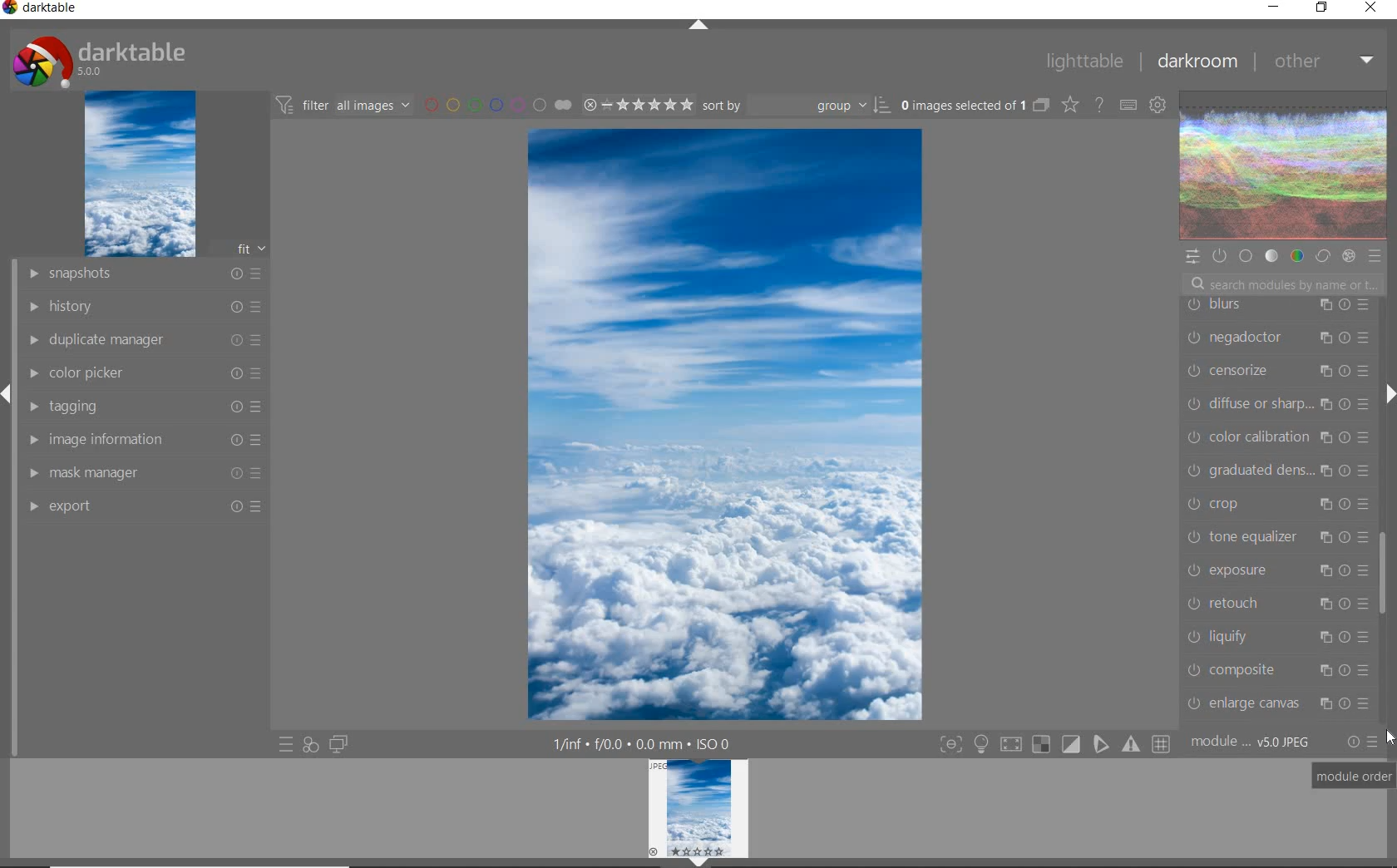 The image size is (1397, 868). Describe the element at coordinates (1279, 306) in the screenshot. I see `Blur` at that location.